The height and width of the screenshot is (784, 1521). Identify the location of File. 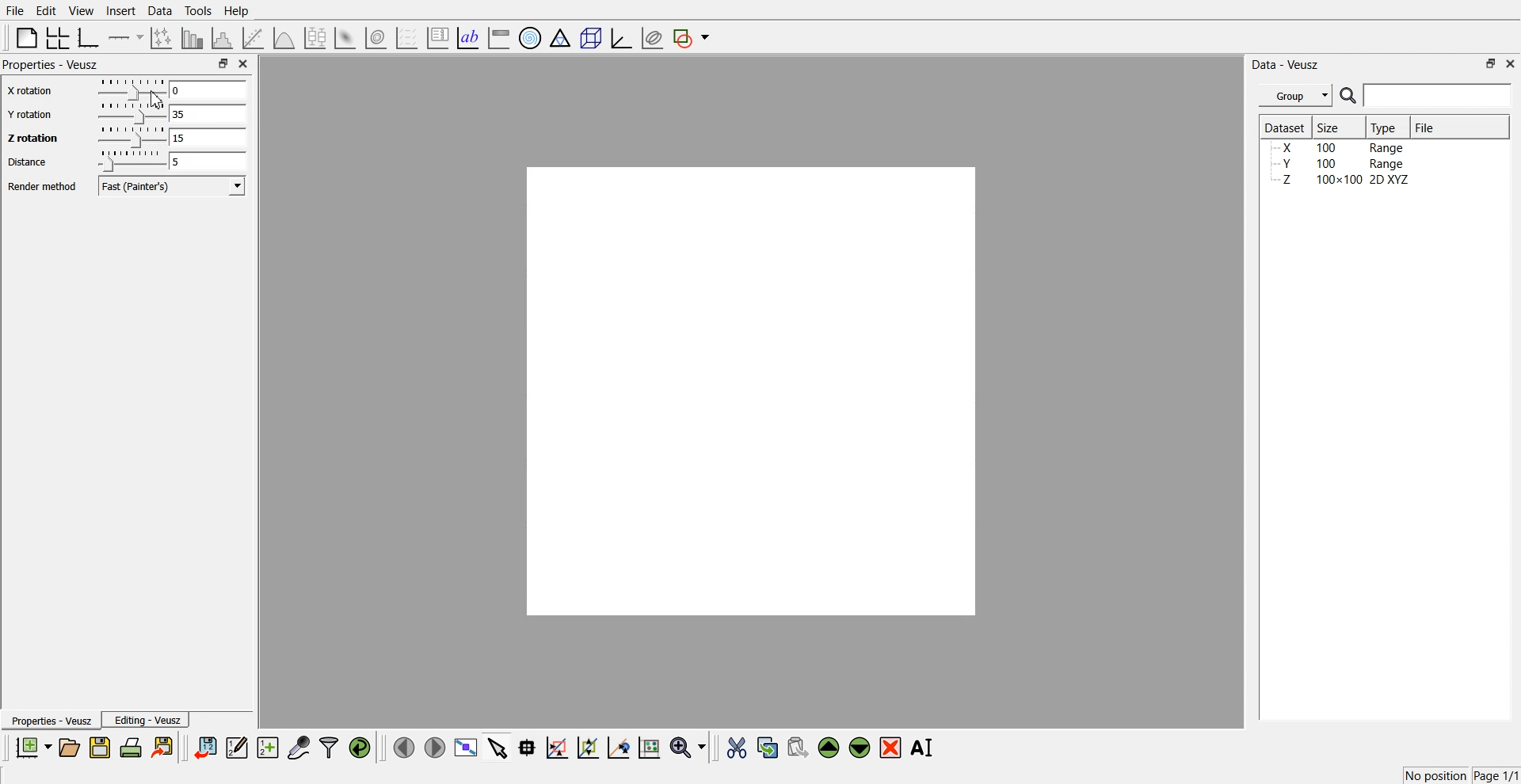
(15, 10).